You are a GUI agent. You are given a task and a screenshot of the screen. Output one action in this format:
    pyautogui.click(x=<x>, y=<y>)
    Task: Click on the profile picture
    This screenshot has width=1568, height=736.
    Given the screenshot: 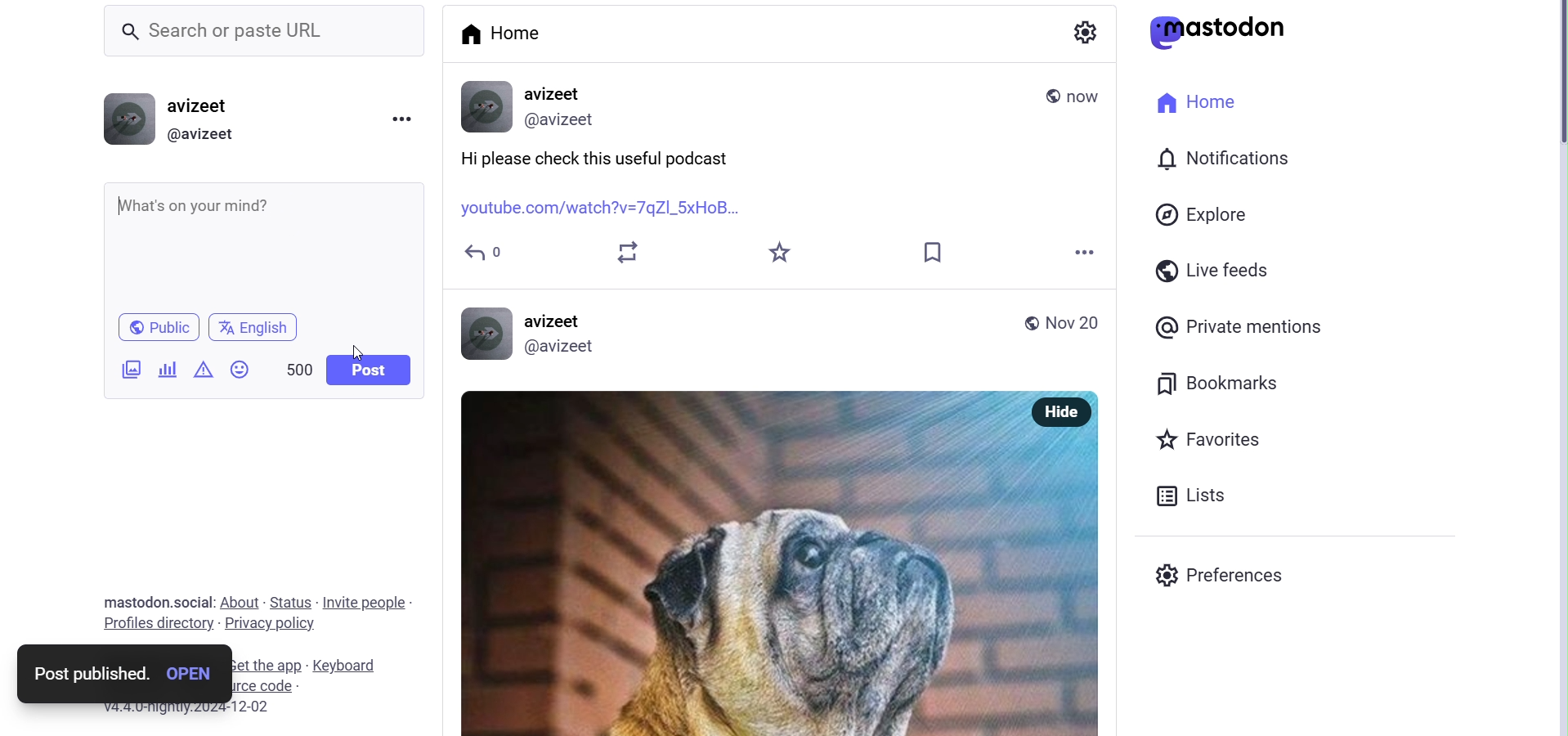 What is the action you would take?
    pyautogui.click(x=128, y=120)
    